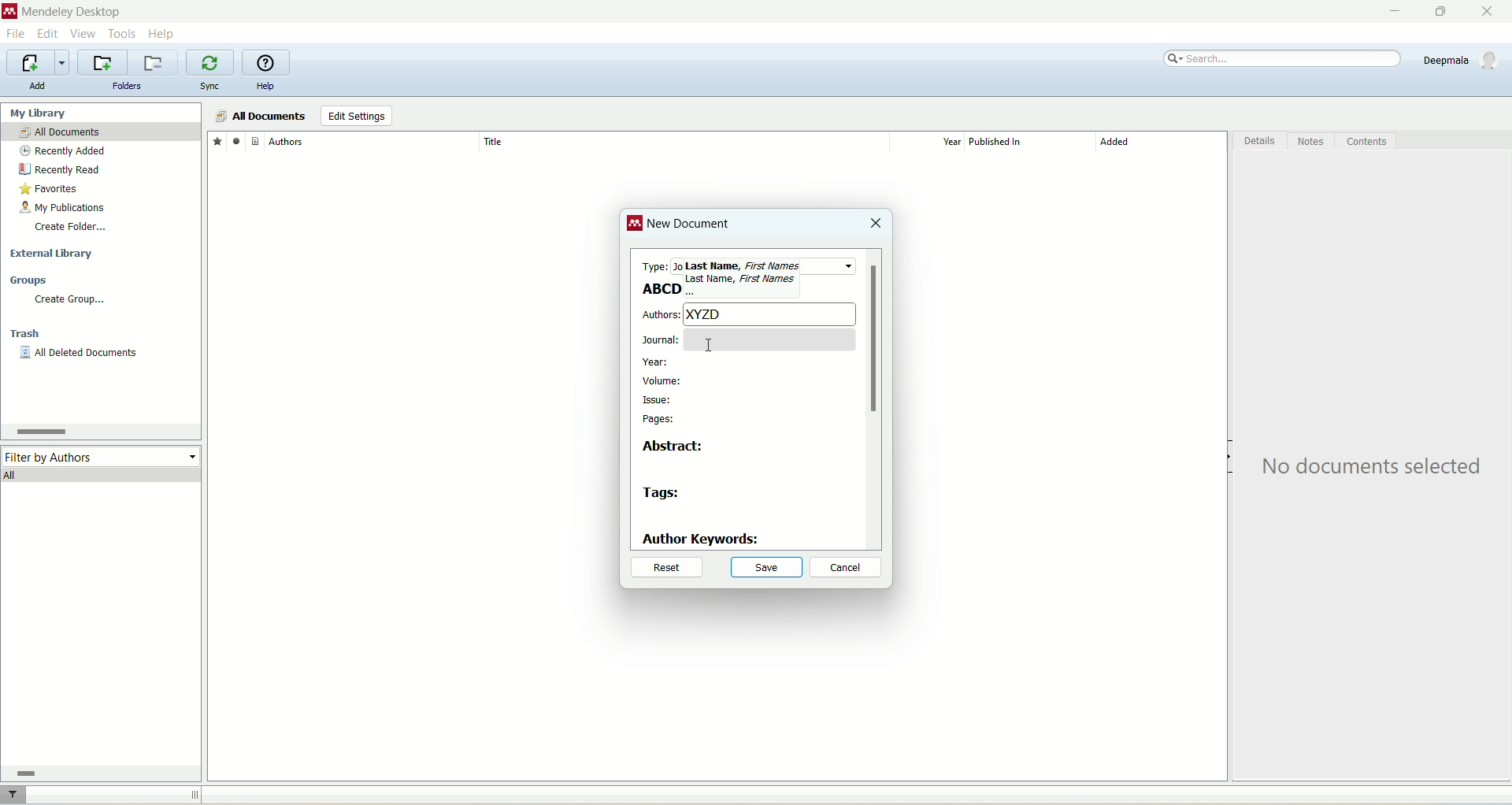 The height and width of the screenshot is (805, 1512). I want to click on all documents, so click(260, 117).